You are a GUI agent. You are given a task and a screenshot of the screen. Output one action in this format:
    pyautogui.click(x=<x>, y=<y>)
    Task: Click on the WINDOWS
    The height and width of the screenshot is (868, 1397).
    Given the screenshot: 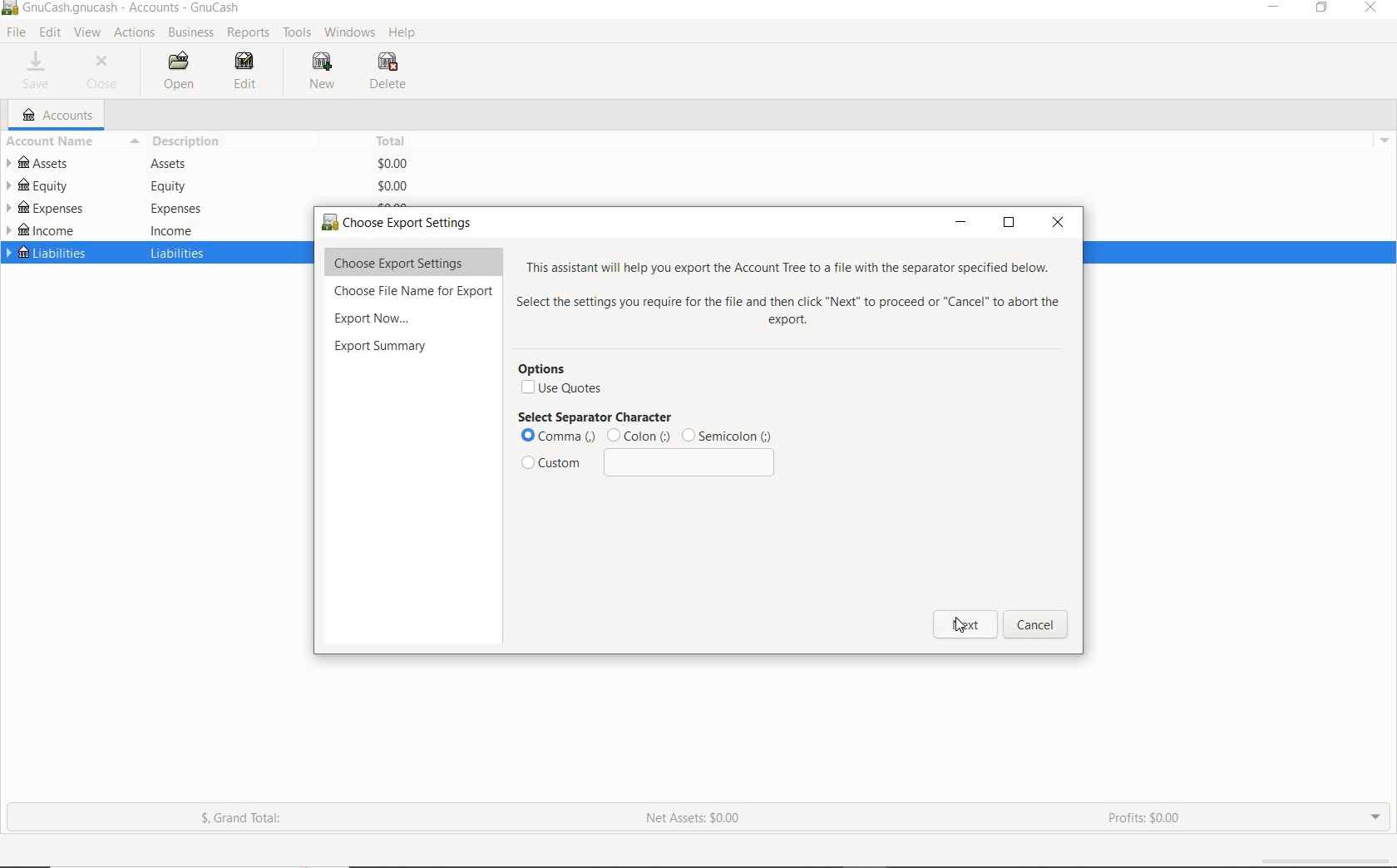 What is the action you would take?
    pyautogui.click(x=348, y=33)
    